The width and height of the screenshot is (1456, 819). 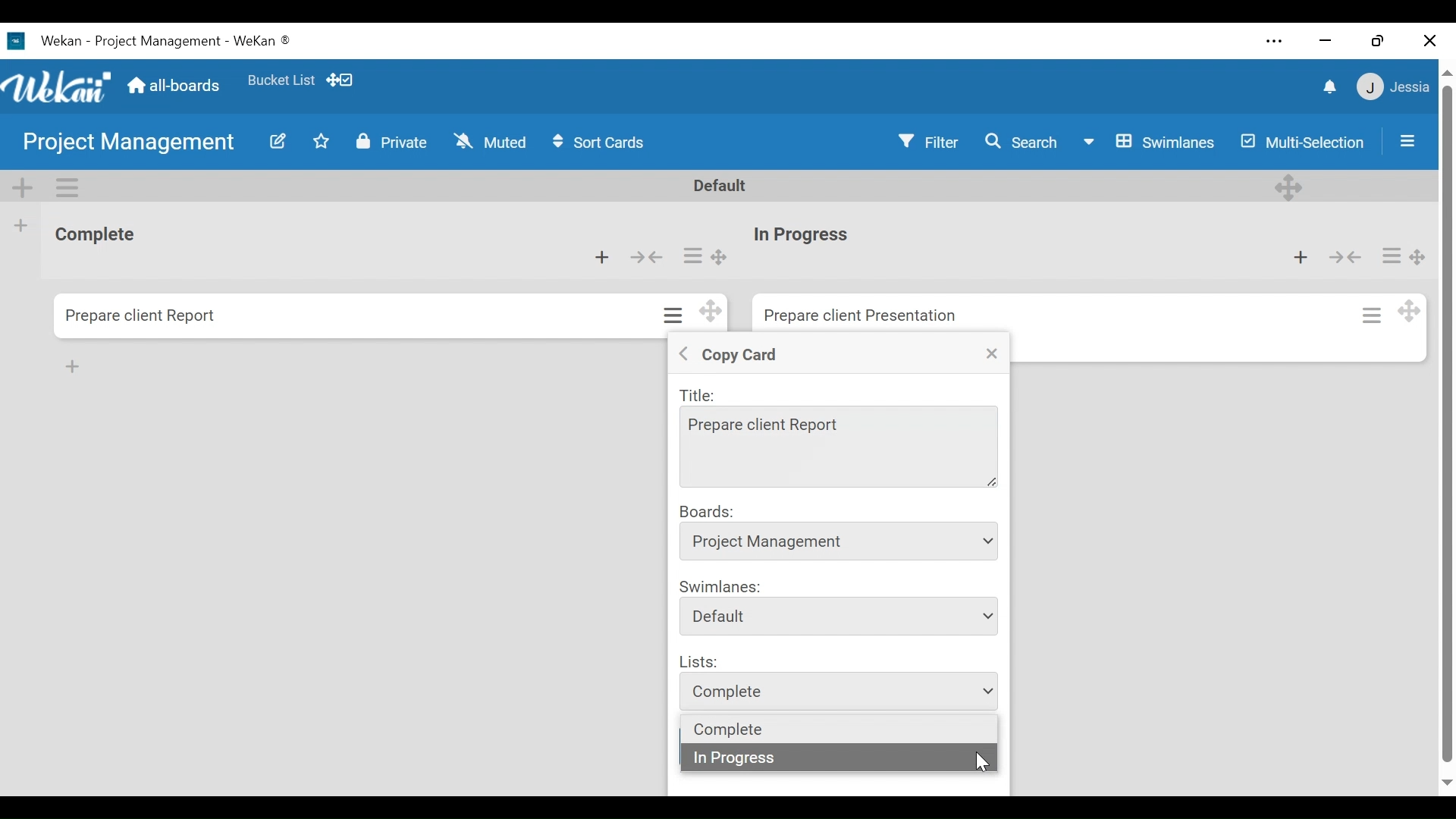 I want to click on Desktop drag handle, so click(x=1418, y=256).